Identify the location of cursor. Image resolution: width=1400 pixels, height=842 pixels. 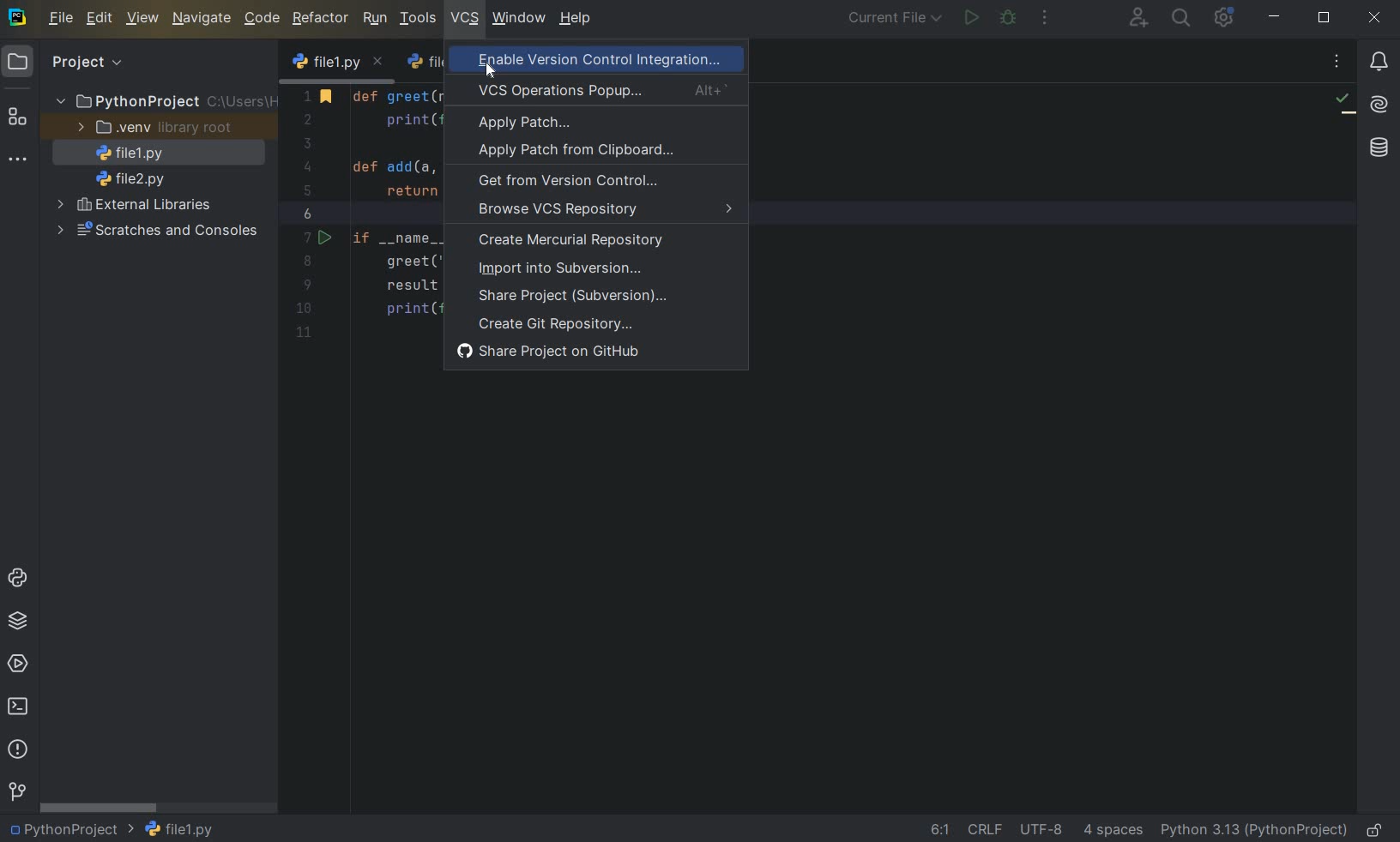
(491, 71).